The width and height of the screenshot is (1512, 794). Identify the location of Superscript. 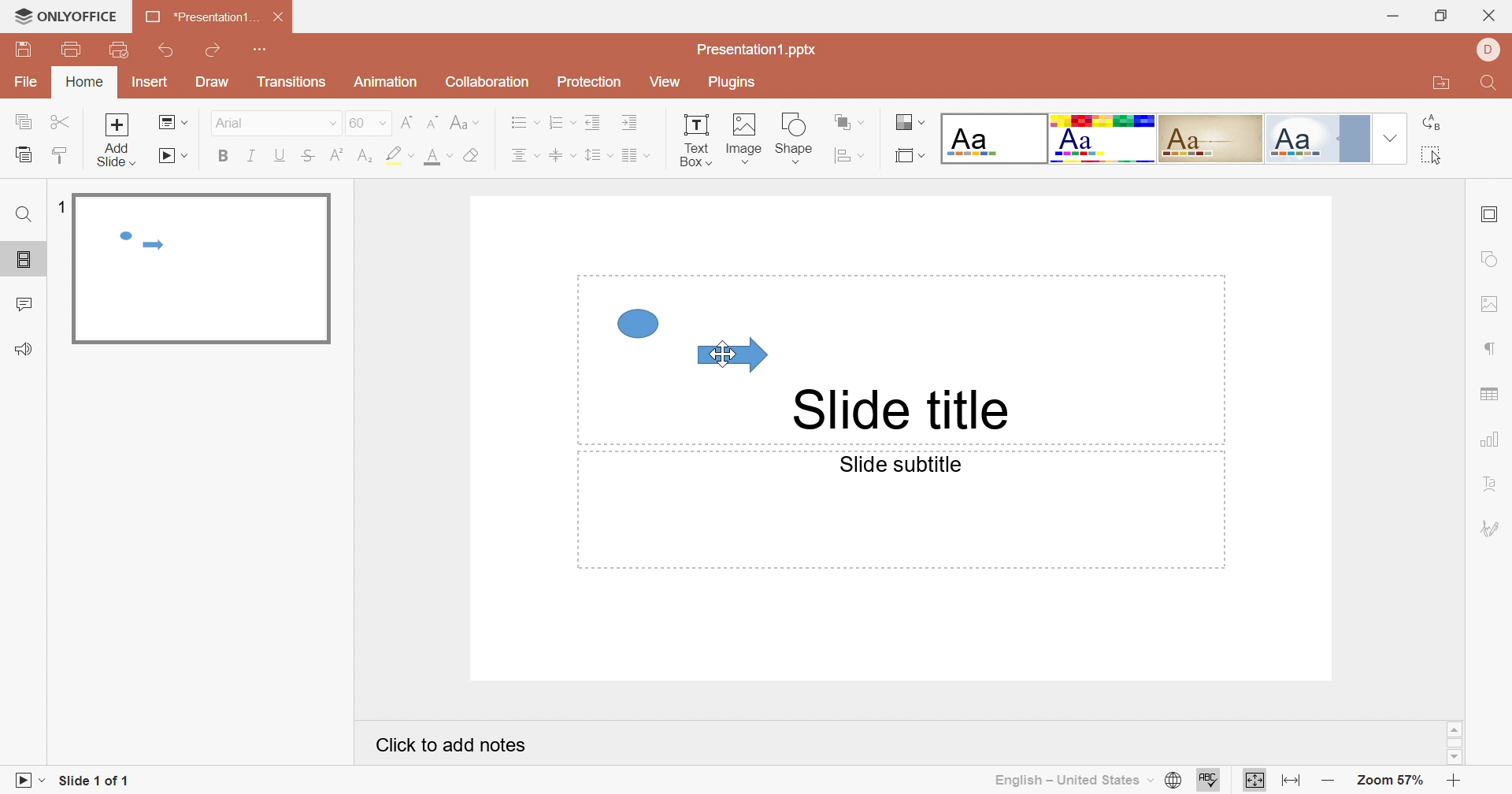
(338, 156).